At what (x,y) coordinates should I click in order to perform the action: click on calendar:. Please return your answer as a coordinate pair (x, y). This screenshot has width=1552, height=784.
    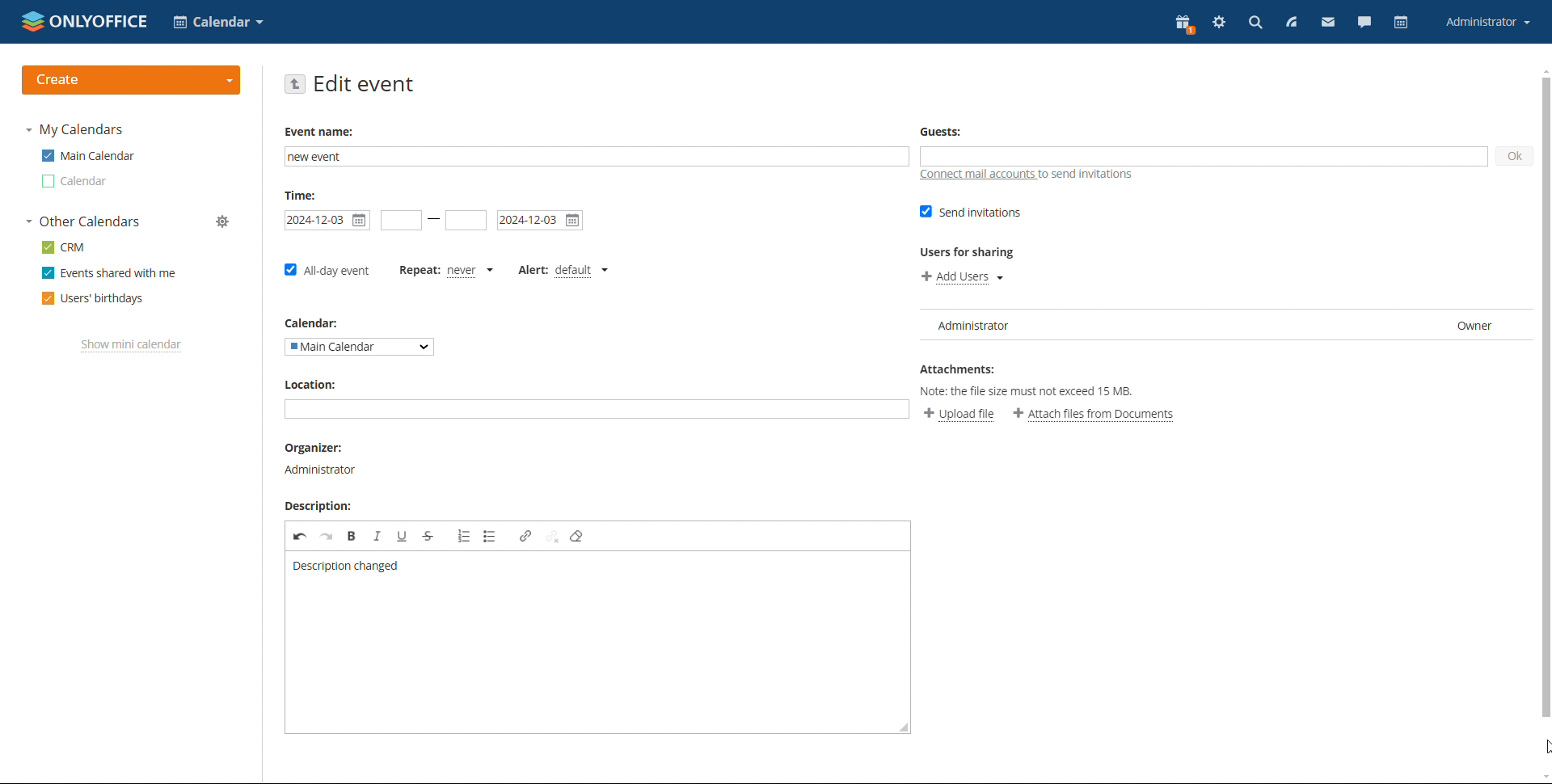
    Looking at the image, I should click on (317, 322).